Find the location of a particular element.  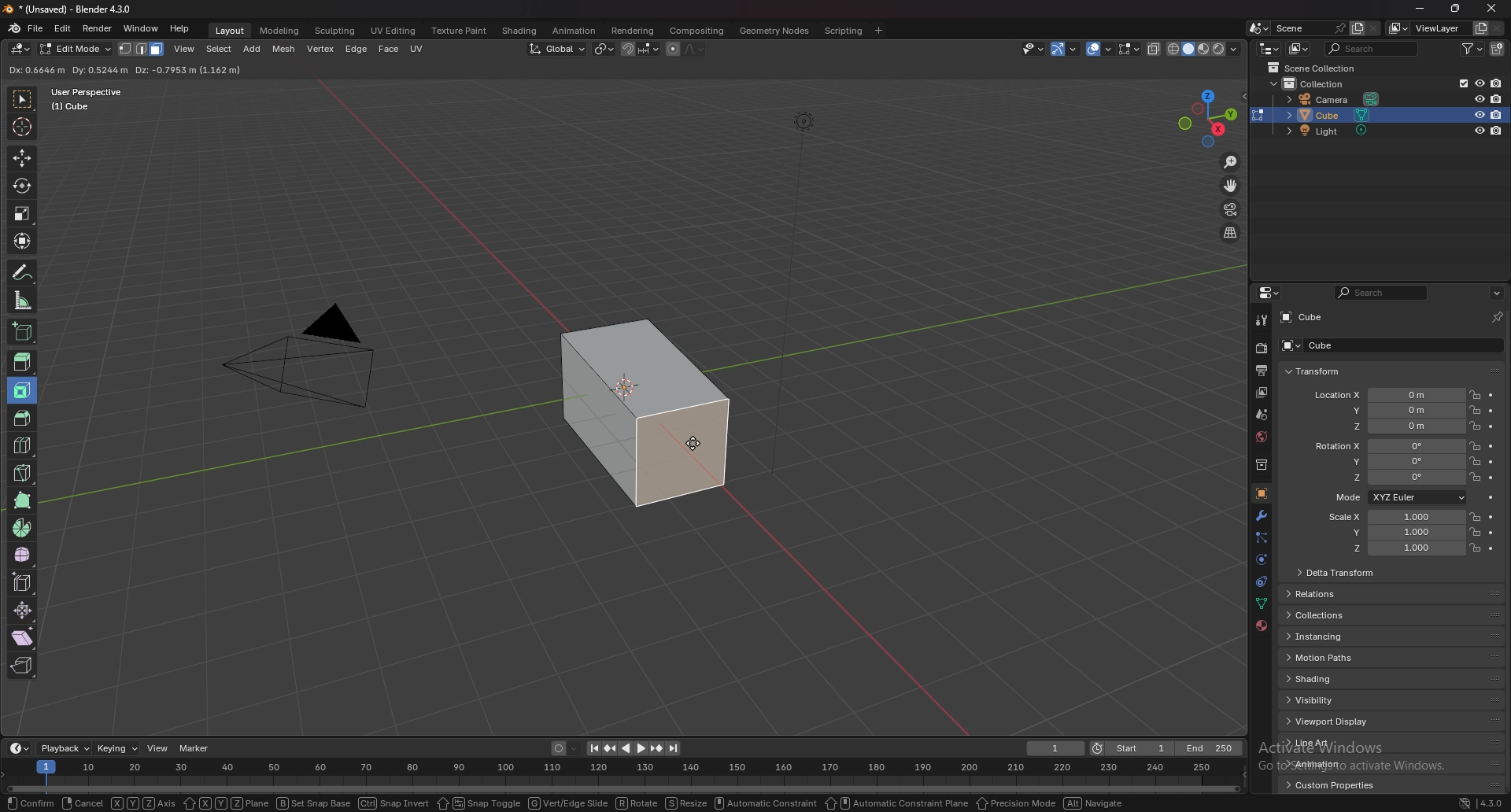

spin is located at coordinates (23, 528).